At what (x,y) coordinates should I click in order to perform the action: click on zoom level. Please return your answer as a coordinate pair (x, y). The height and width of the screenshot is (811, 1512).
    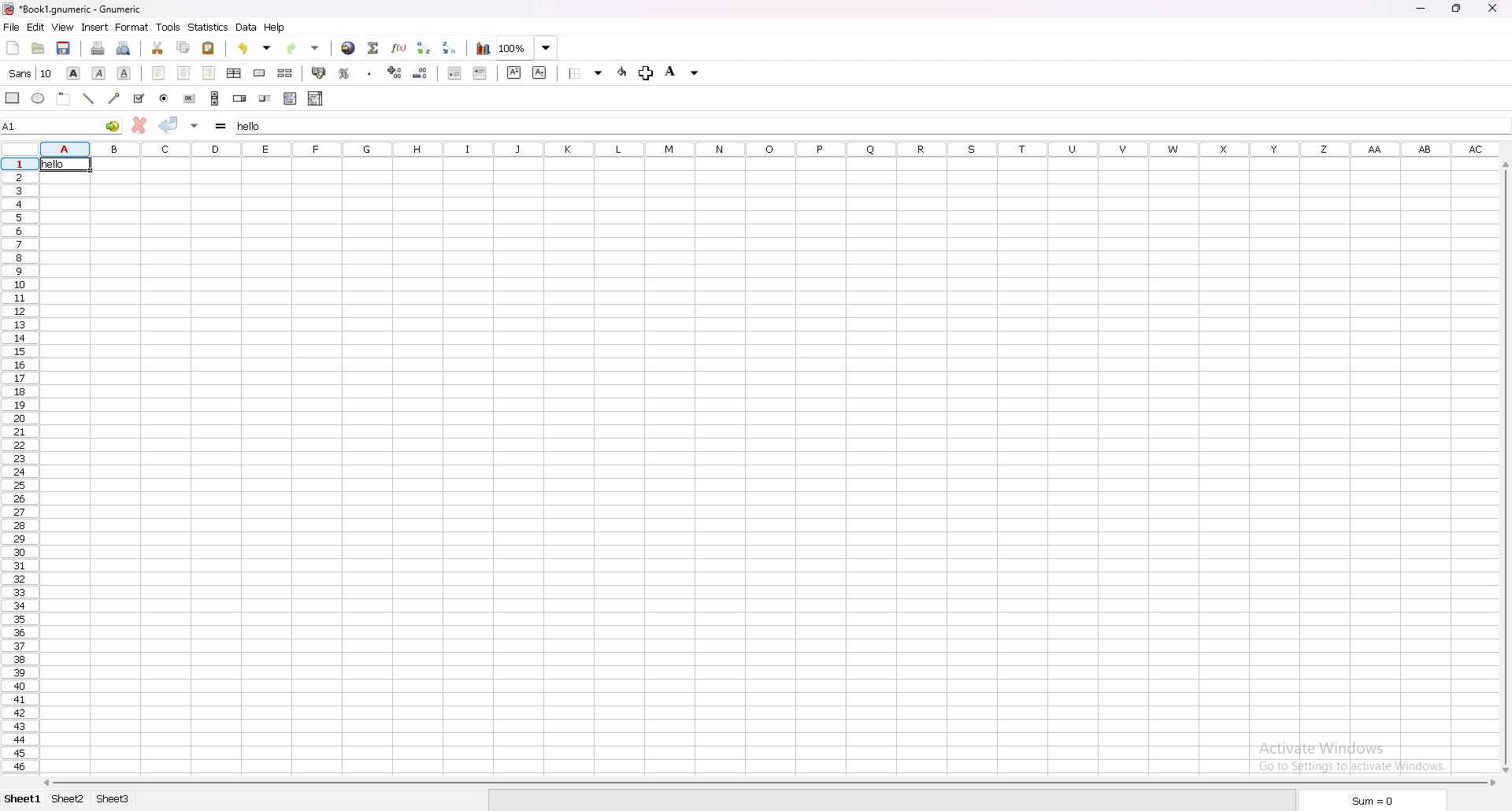
    Looking at the image, I should click on (528, 47).